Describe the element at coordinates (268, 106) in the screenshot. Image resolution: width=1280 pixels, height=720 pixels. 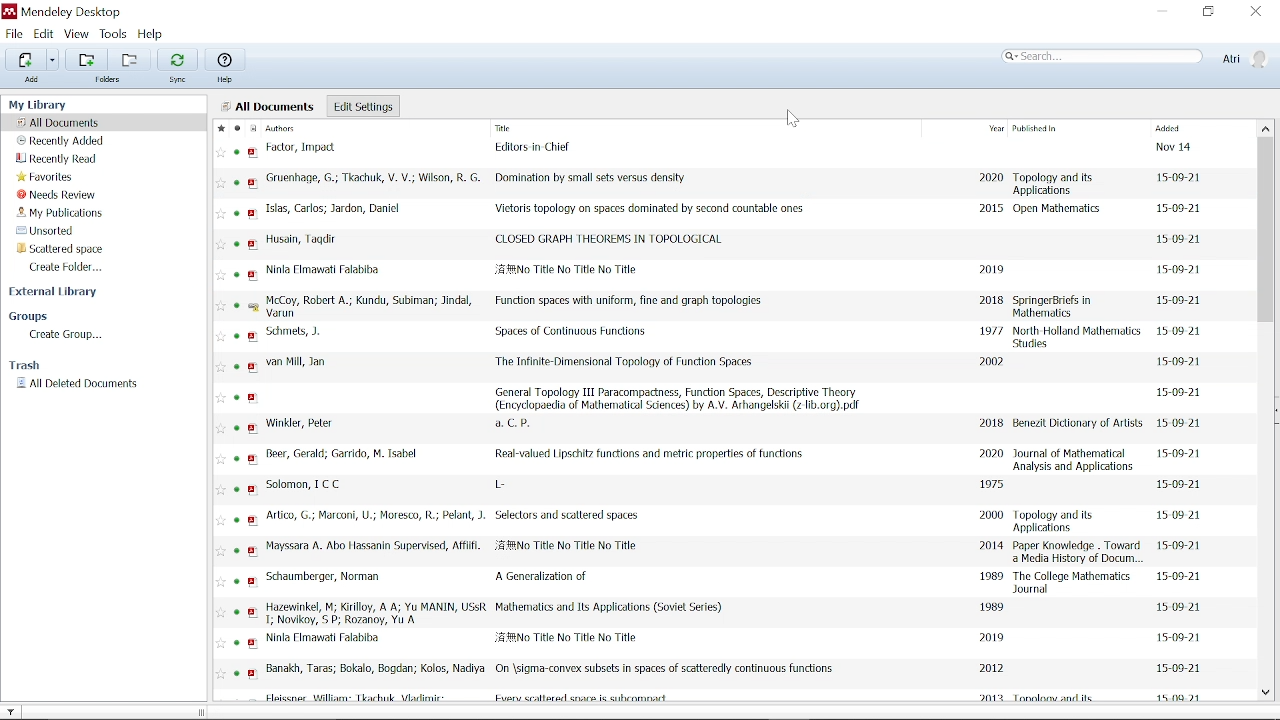
I see `All Documents` at that location.